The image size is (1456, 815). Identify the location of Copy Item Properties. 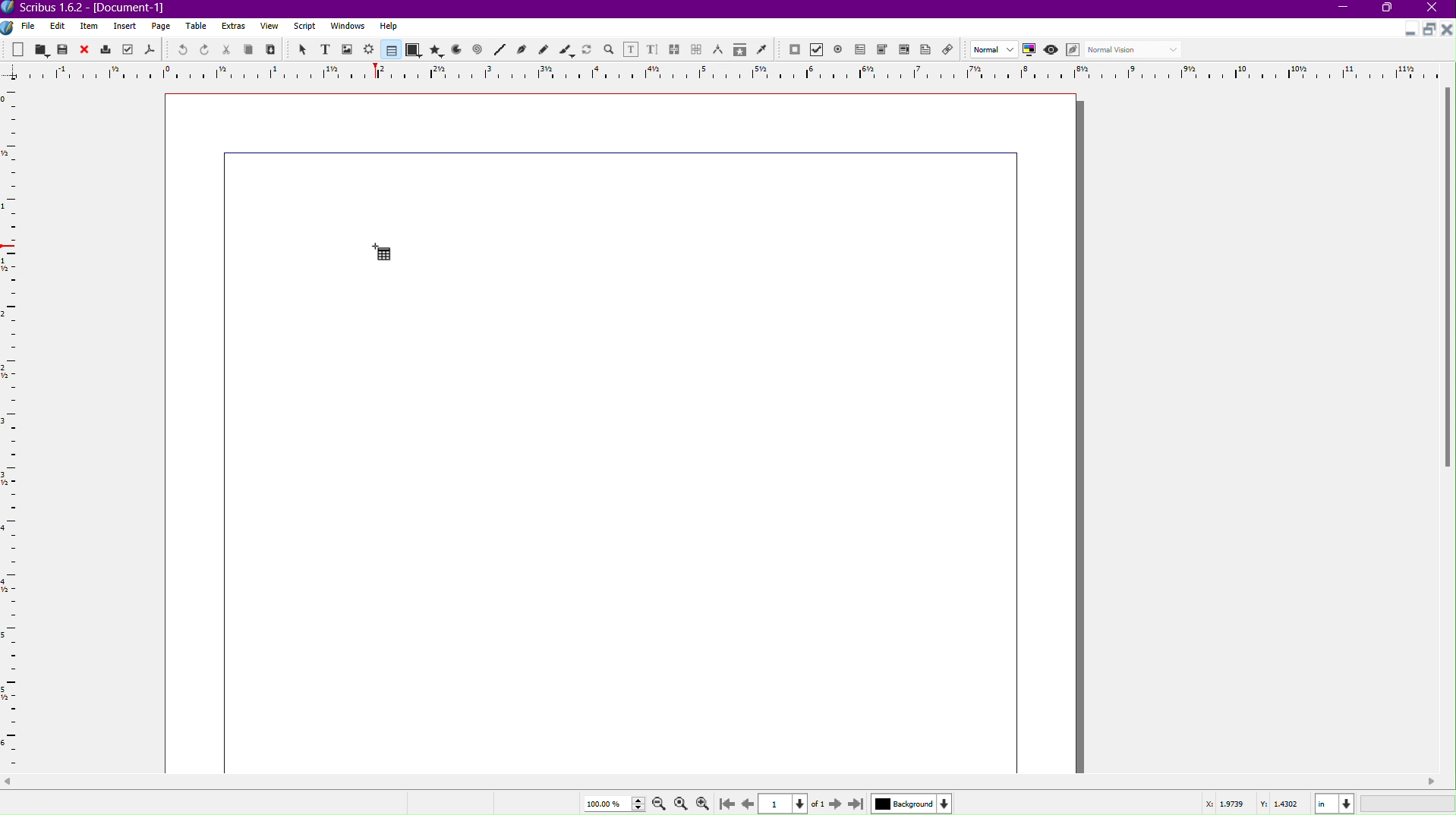
(739, 50).